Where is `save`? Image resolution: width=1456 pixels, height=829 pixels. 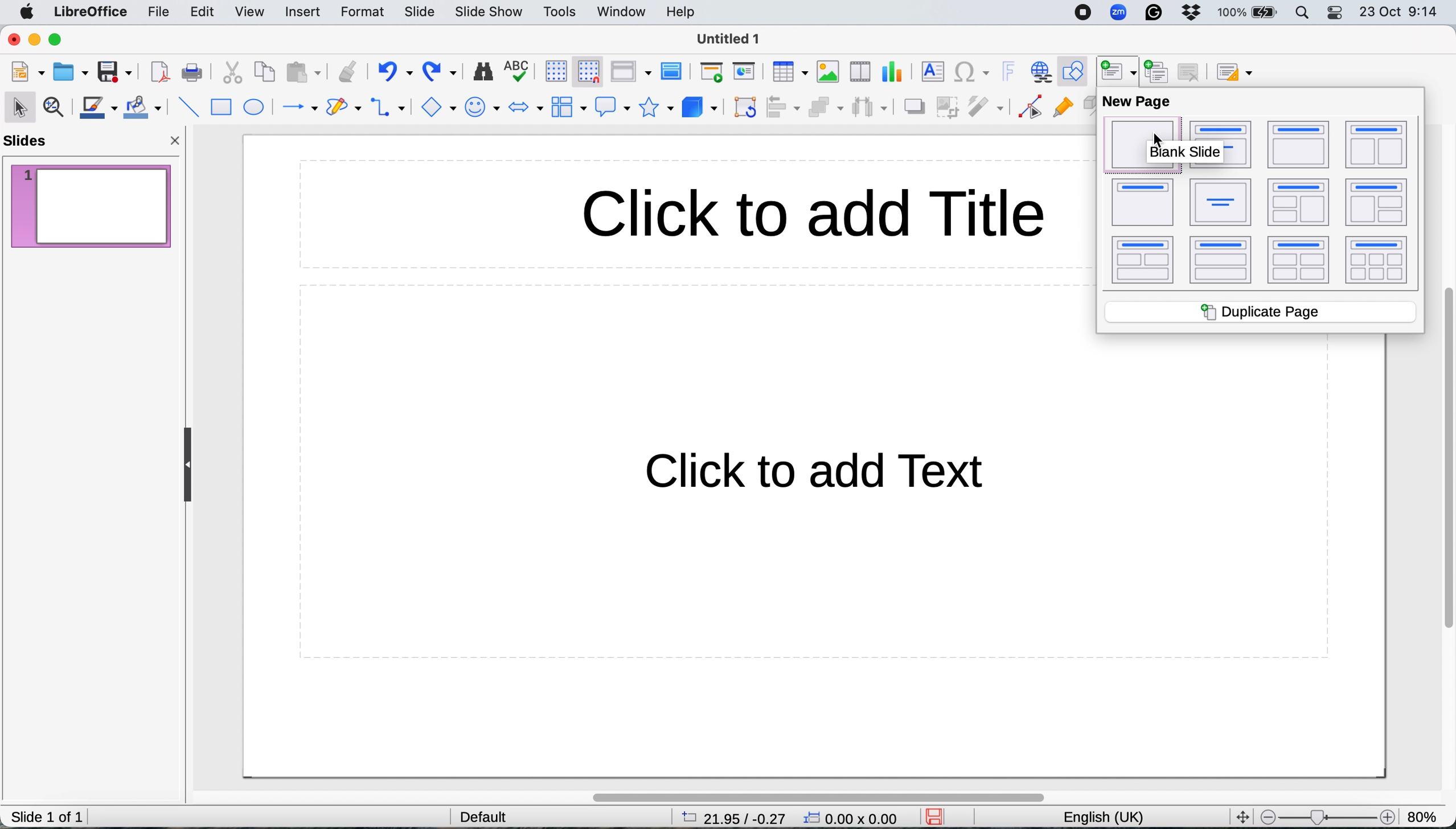 save is located at coordinates (938, 816).